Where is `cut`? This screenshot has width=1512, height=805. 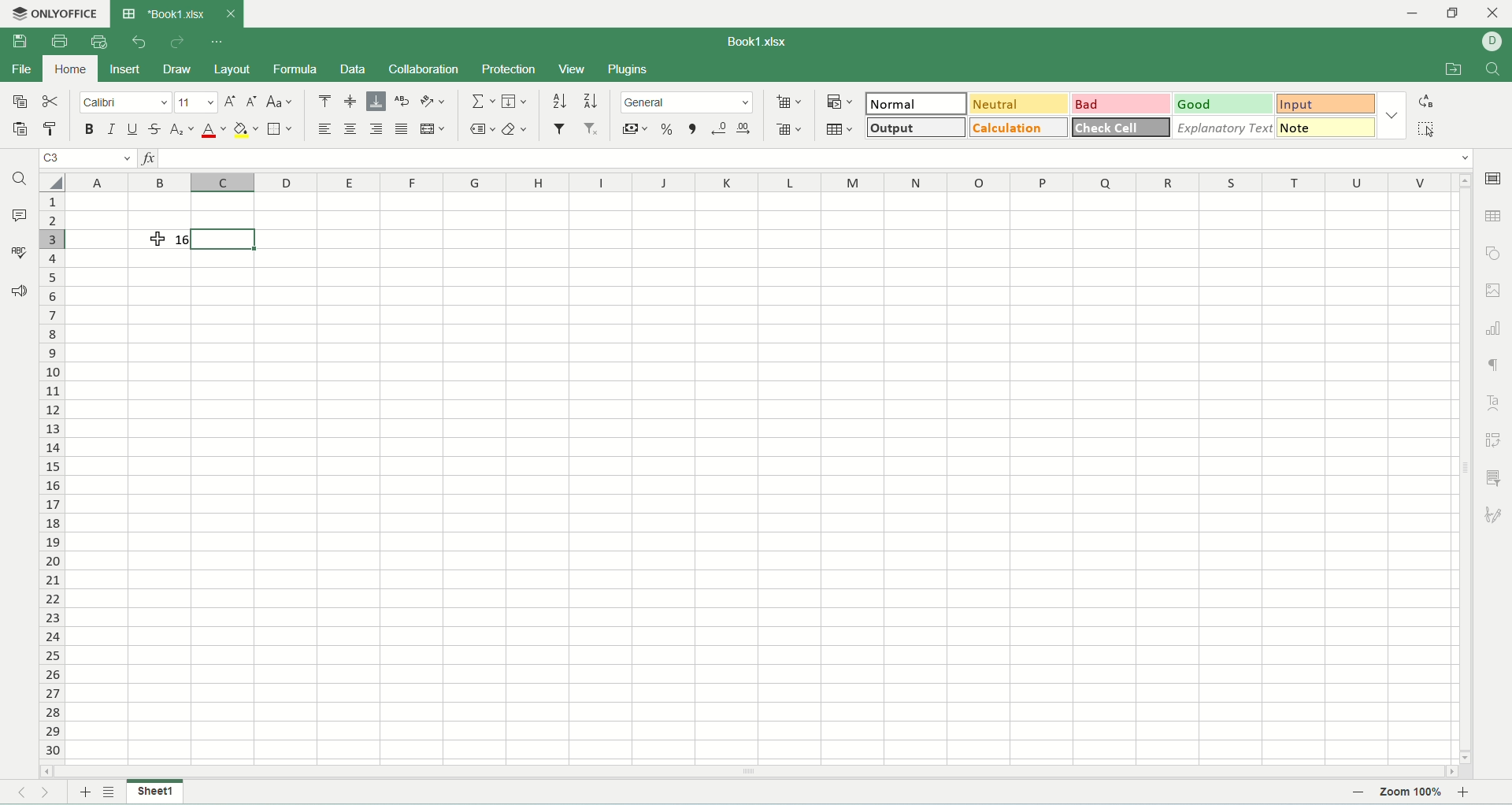
cut is located at coordinates (50, 101).